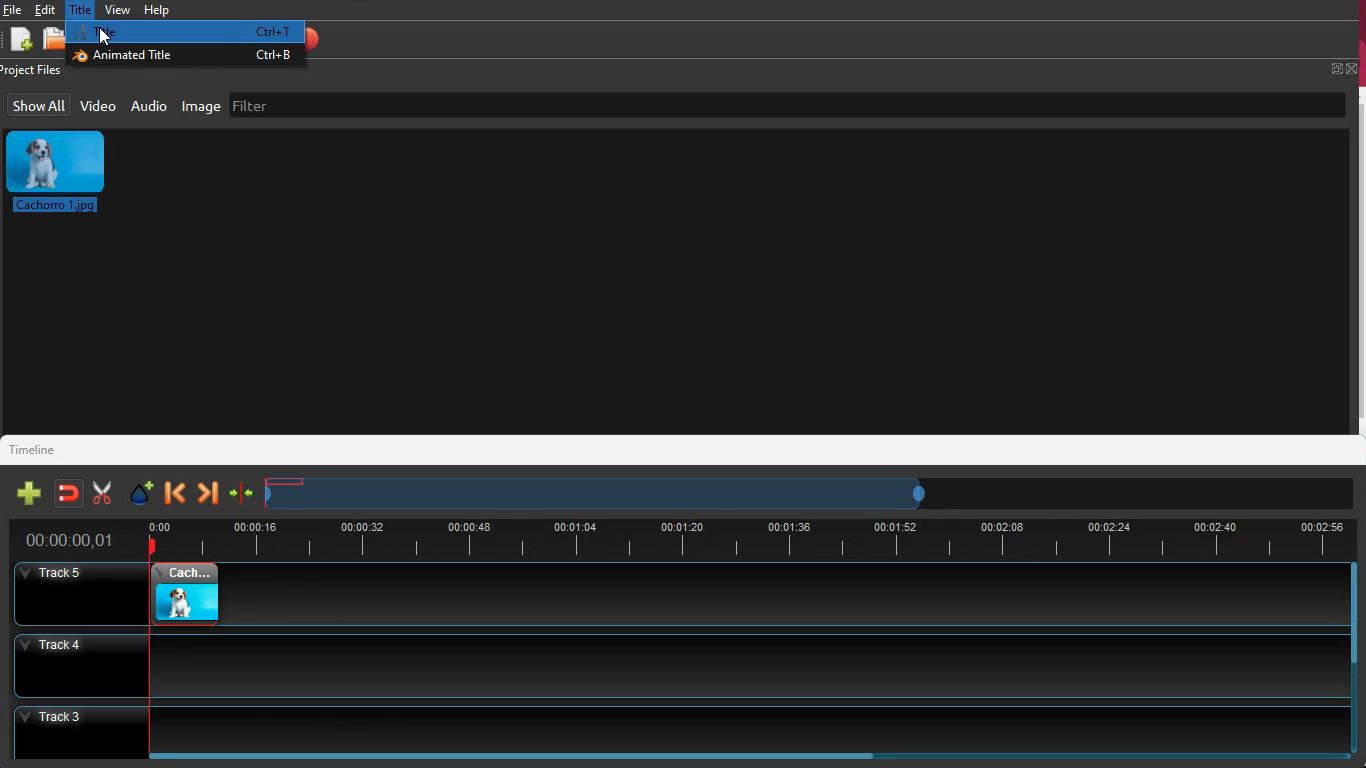  What do you see at coordinates (52, 41) in the screenshot?
I see `file` at bounding box center [52, 41].